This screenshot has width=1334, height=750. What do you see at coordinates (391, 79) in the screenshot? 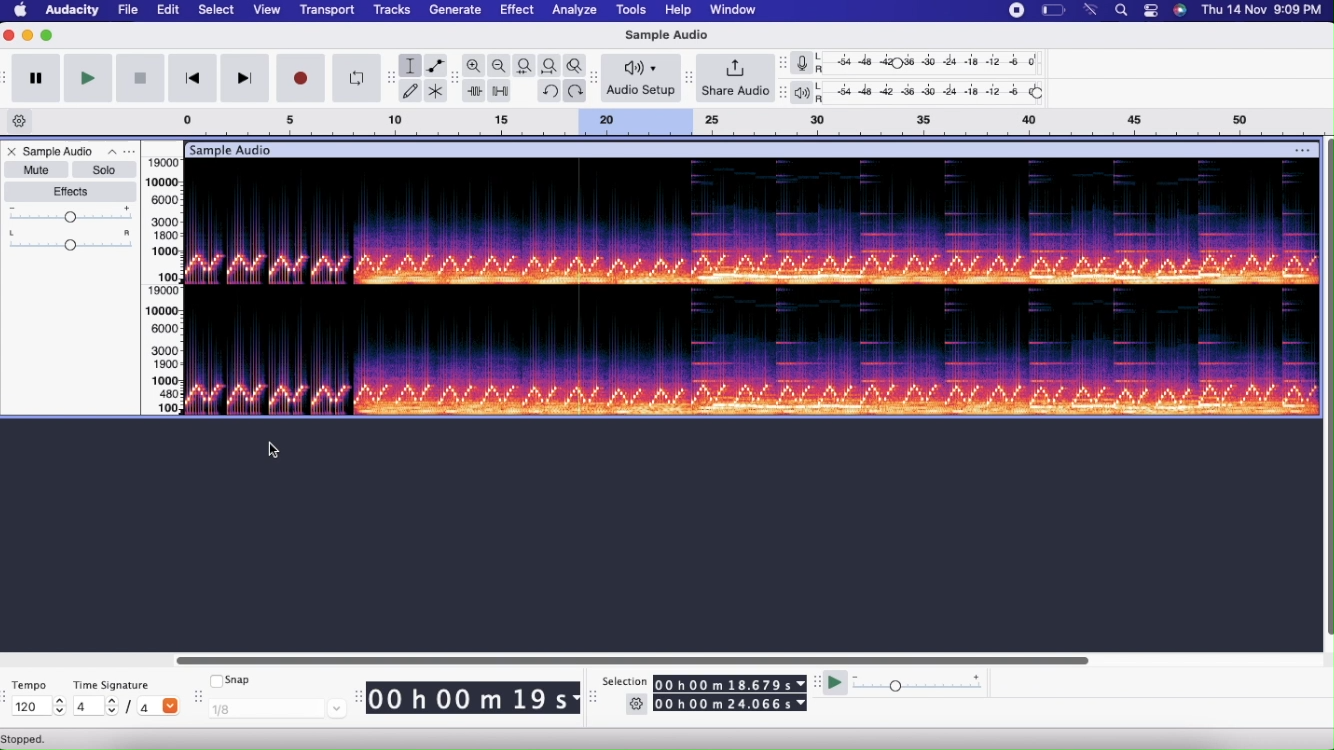
I see `move toolbar` at bounding box center [391, 79].